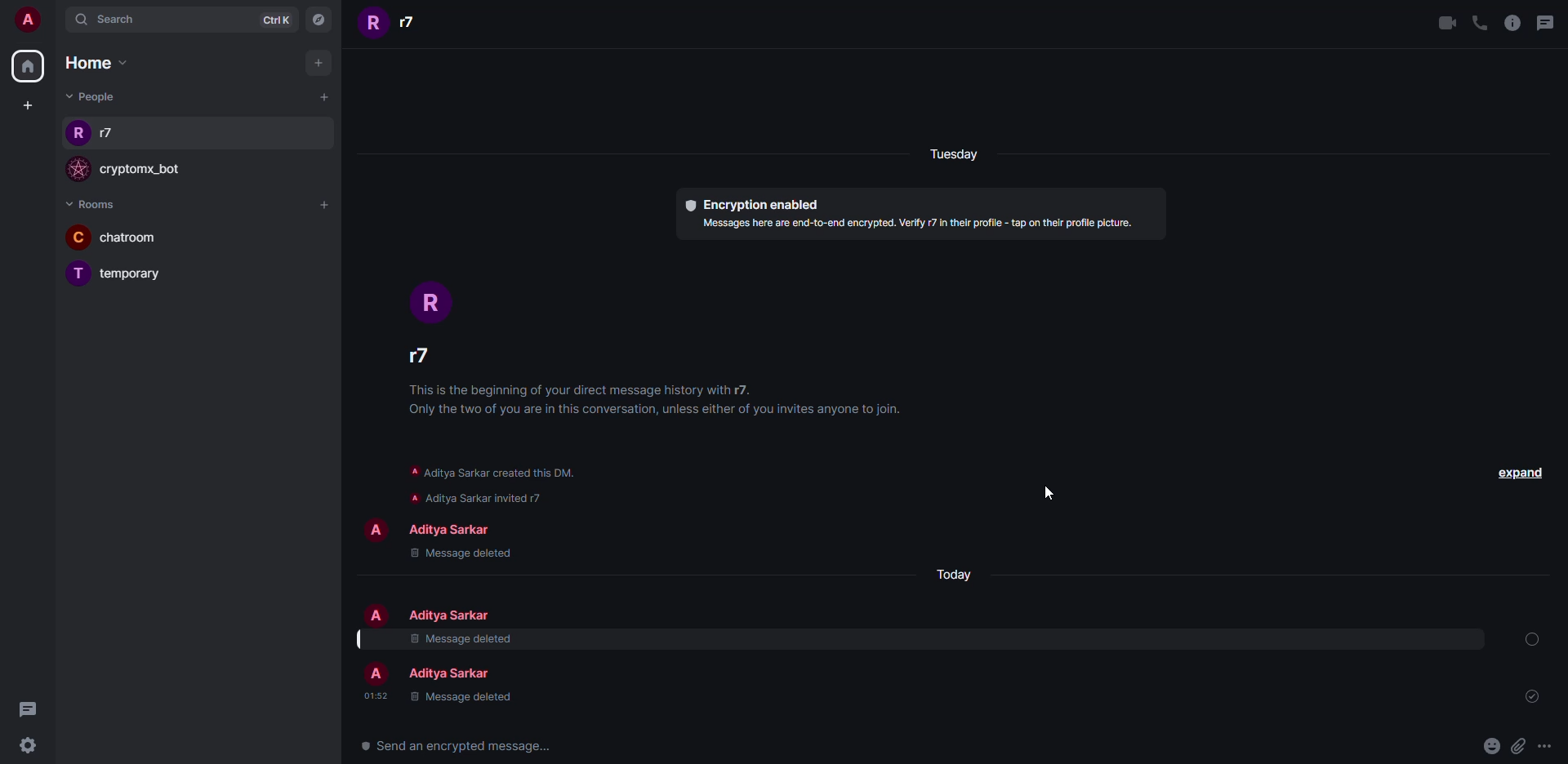 Image resolution: width=1568 pixels, height=764 pixels. What do you see at coordinates (1480, 22) in the screenshot?
I see `voice call` at bounding box center [1480, 22].